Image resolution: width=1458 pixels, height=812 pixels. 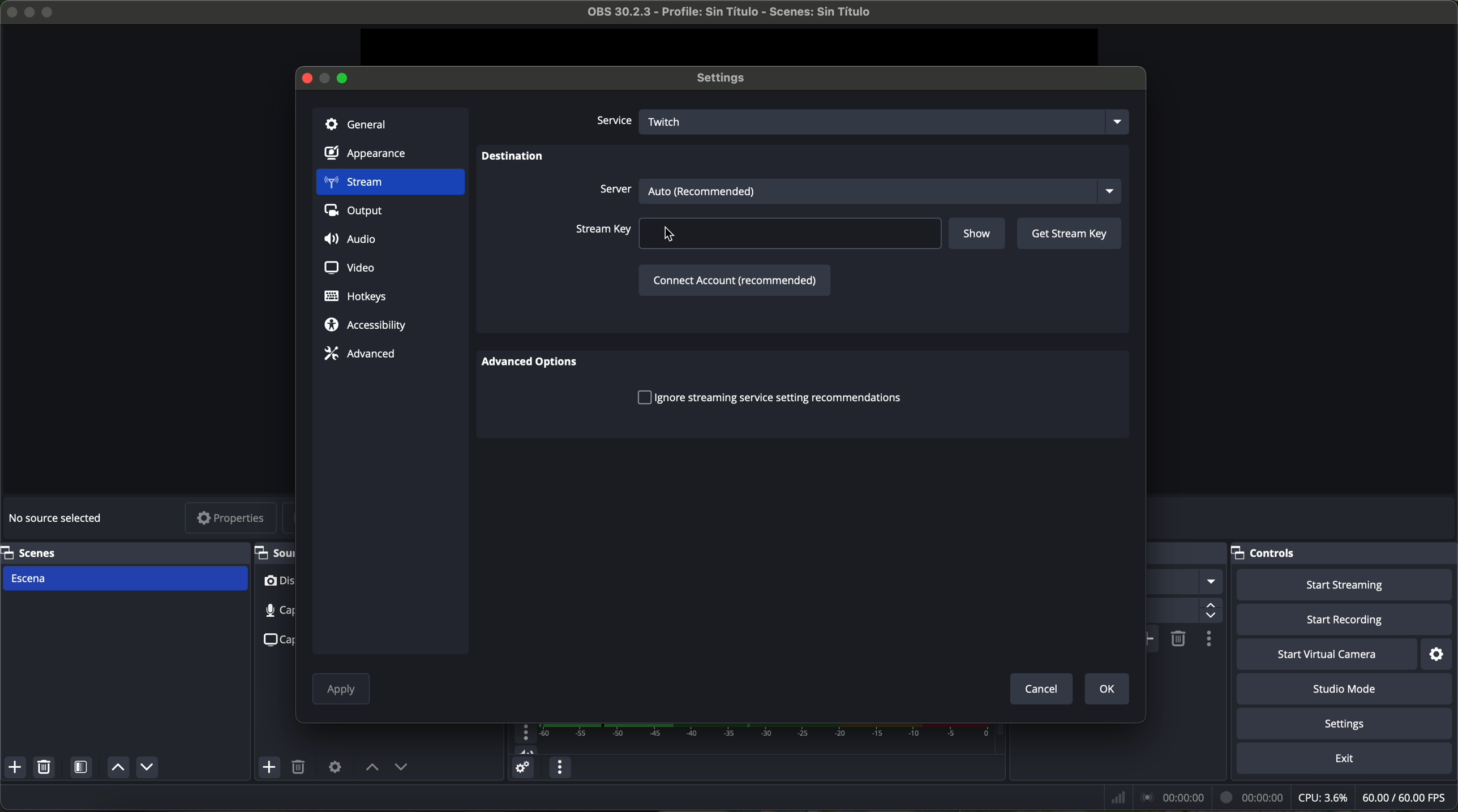 I want to click on data, so click(x=1277, y=797).